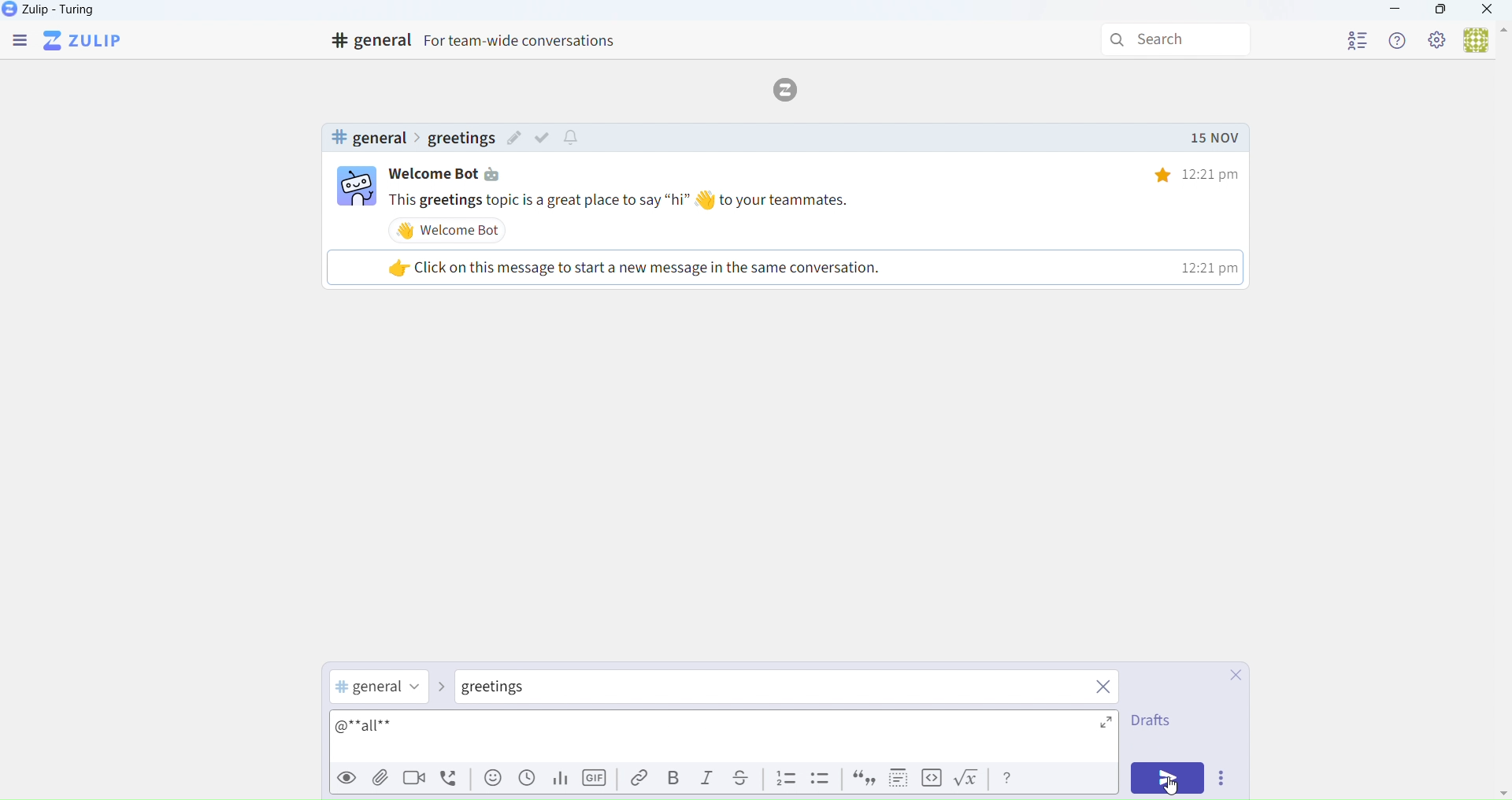  Describe the element at coordinates (597, 781) in the screenshot. I see `GIF` at that location.